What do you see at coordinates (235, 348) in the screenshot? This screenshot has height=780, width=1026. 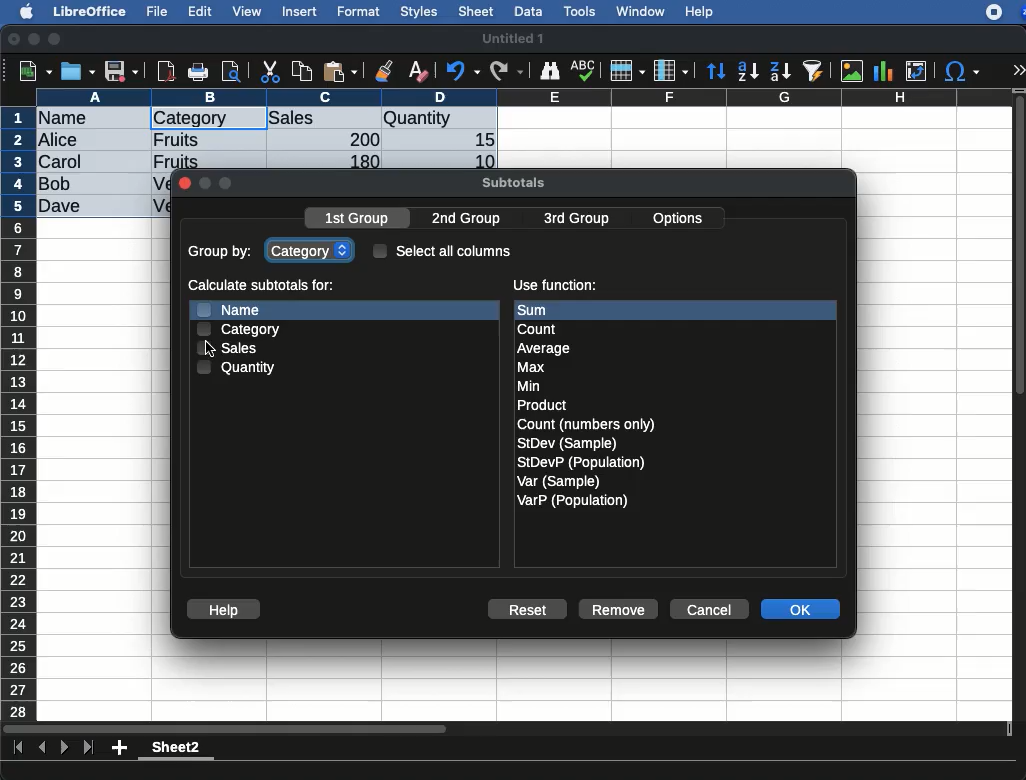 I see `sales` at bounding box center [235, 348].